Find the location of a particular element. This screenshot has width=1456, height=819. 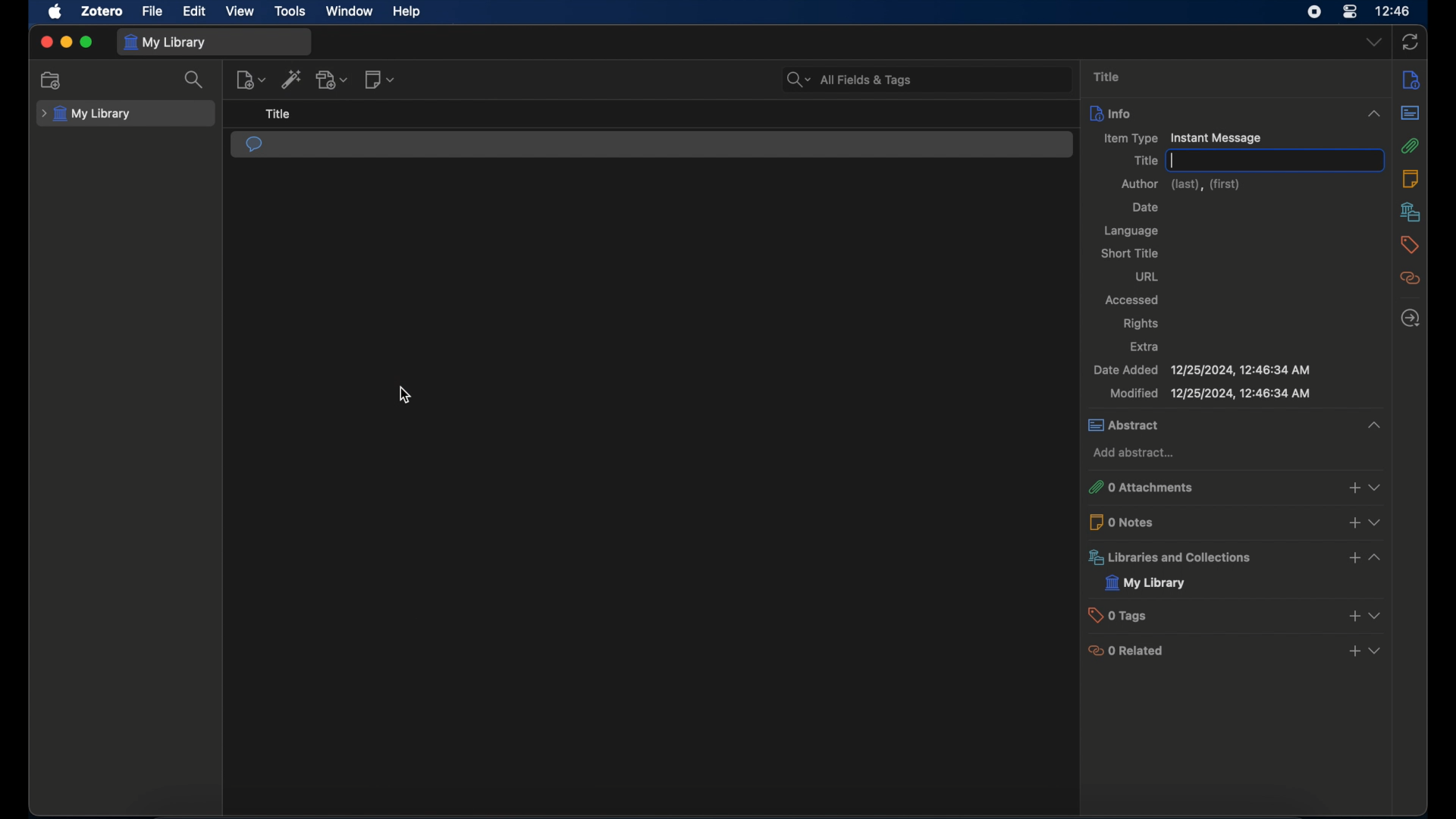

locate is located at coordinates (1410, 317).